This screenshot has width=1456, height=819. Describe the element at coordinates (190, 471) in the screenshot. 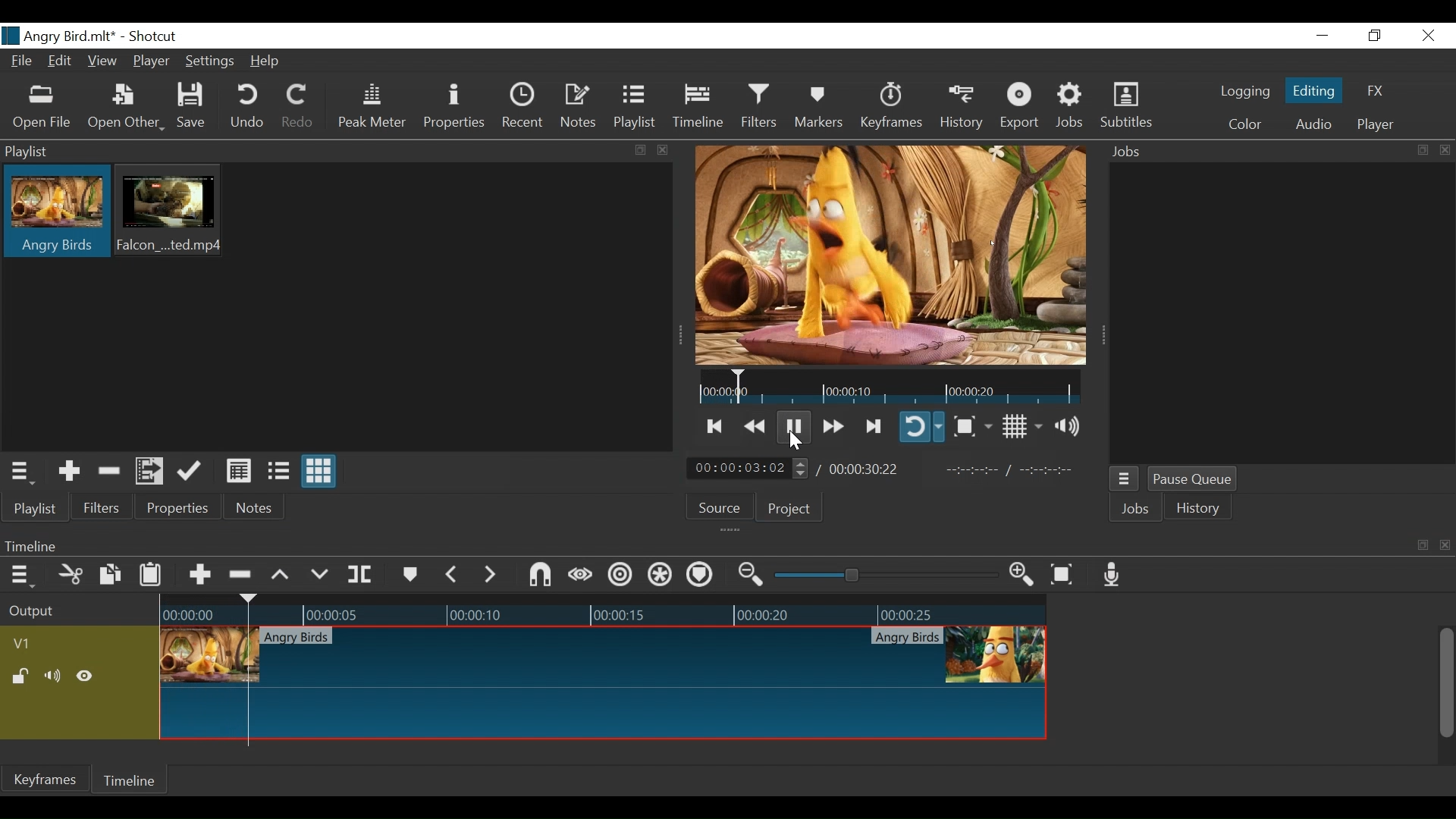

I see `Update` at that location.